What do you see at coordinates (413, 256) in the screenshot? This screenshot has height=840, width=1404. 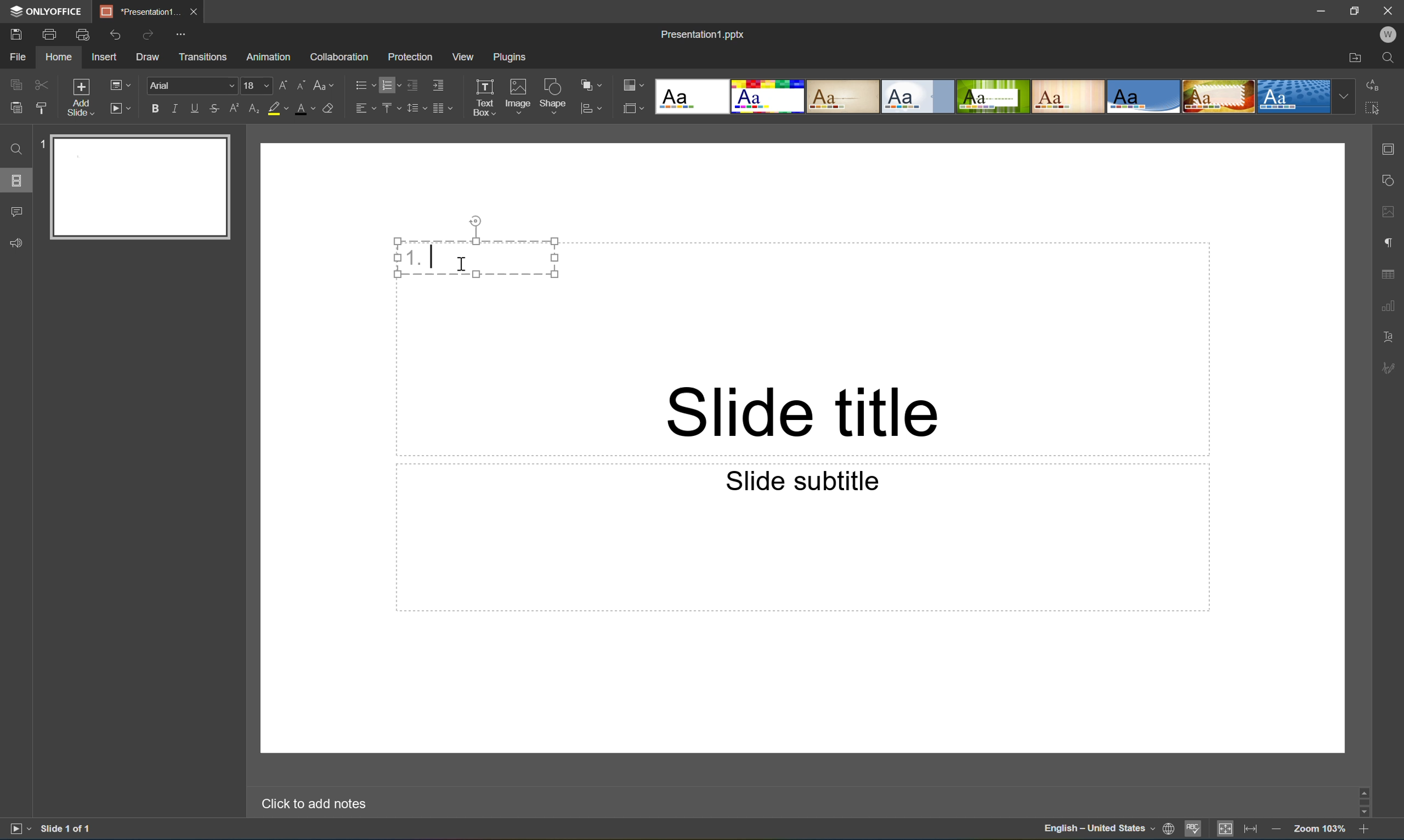 I see `1.` at bounding box center [413, 256].